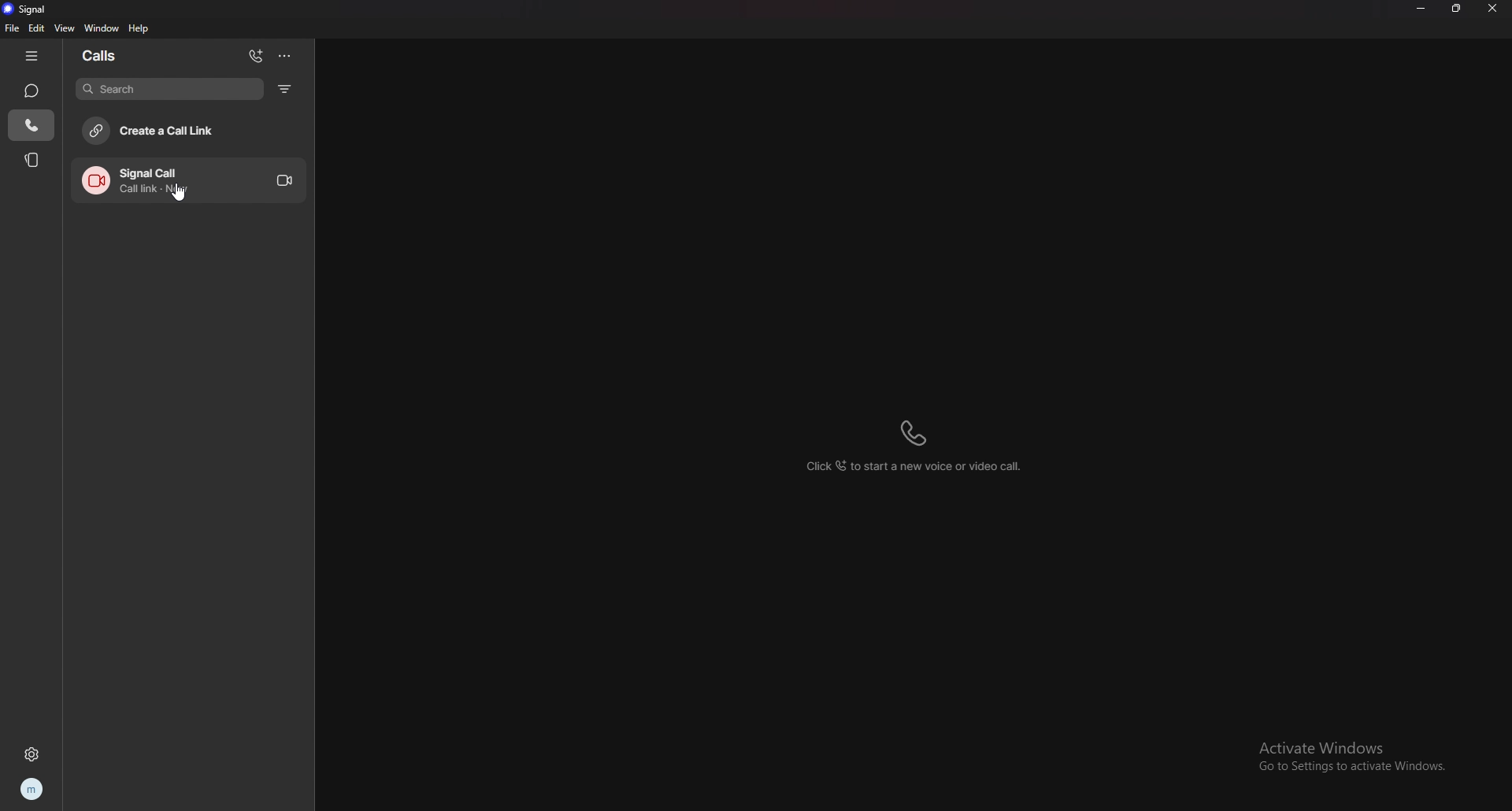 The height and width of the screenshot is (811, 1512). What do you see at coordinates (31, 9) in the screenshot?
I see `signal` at bounding box center [31, 9].